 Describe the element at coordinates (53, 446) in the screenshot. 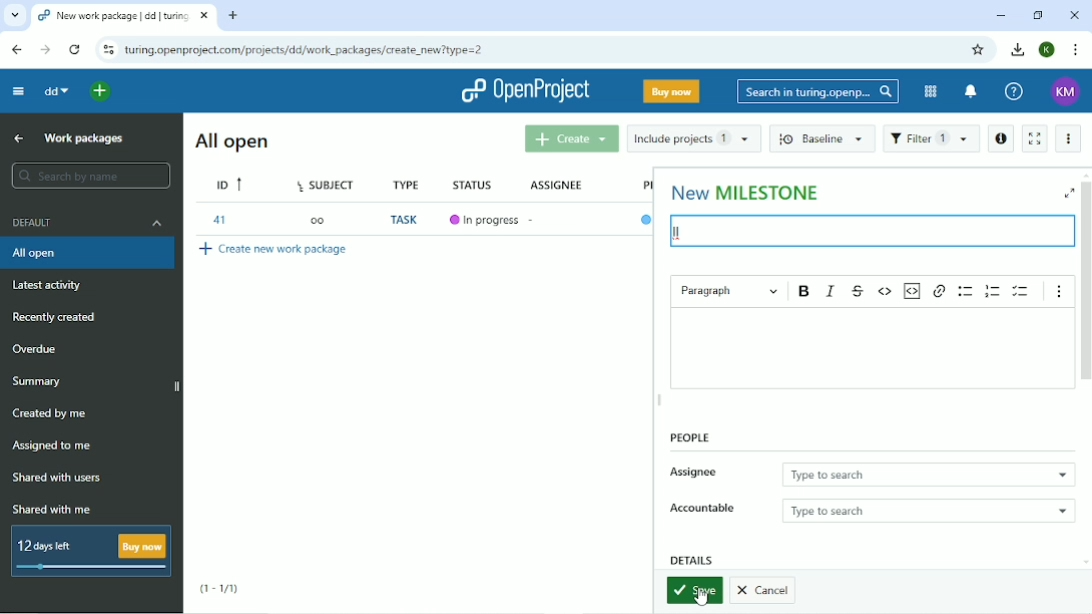

I see `Assigned to me` at that location.